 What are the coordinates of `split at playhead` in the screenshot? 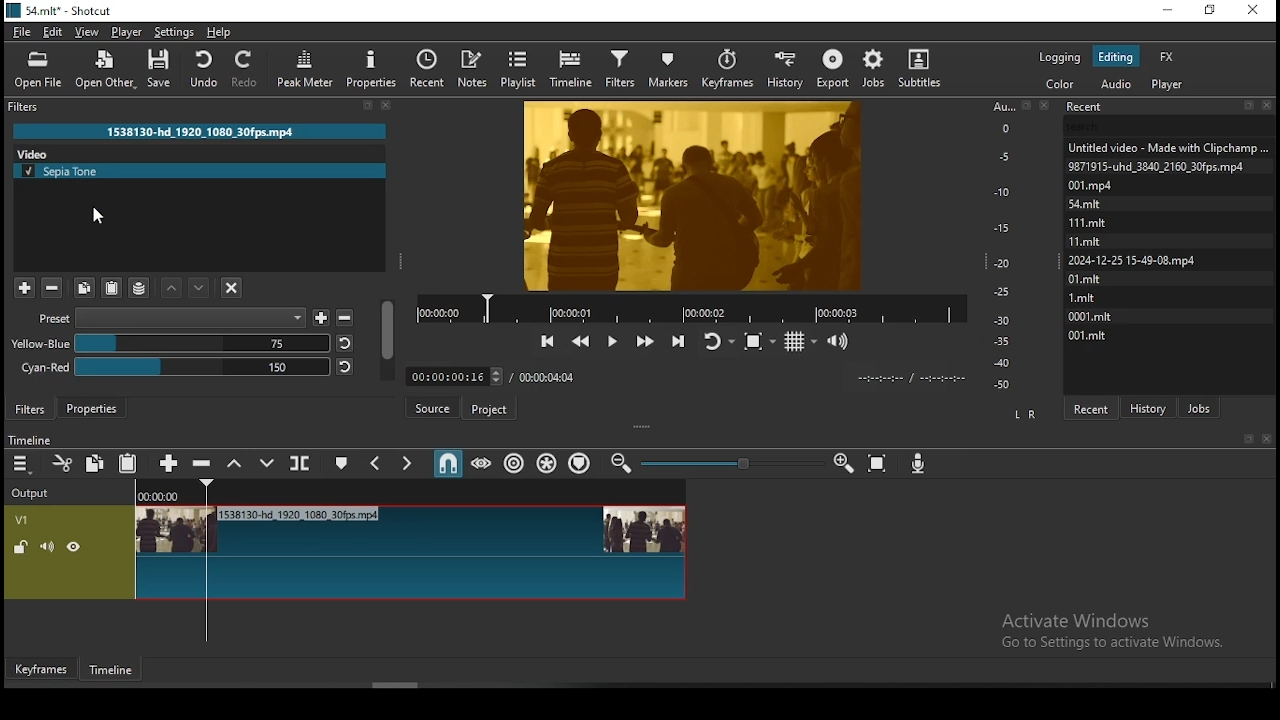 It's located at (301, 462).